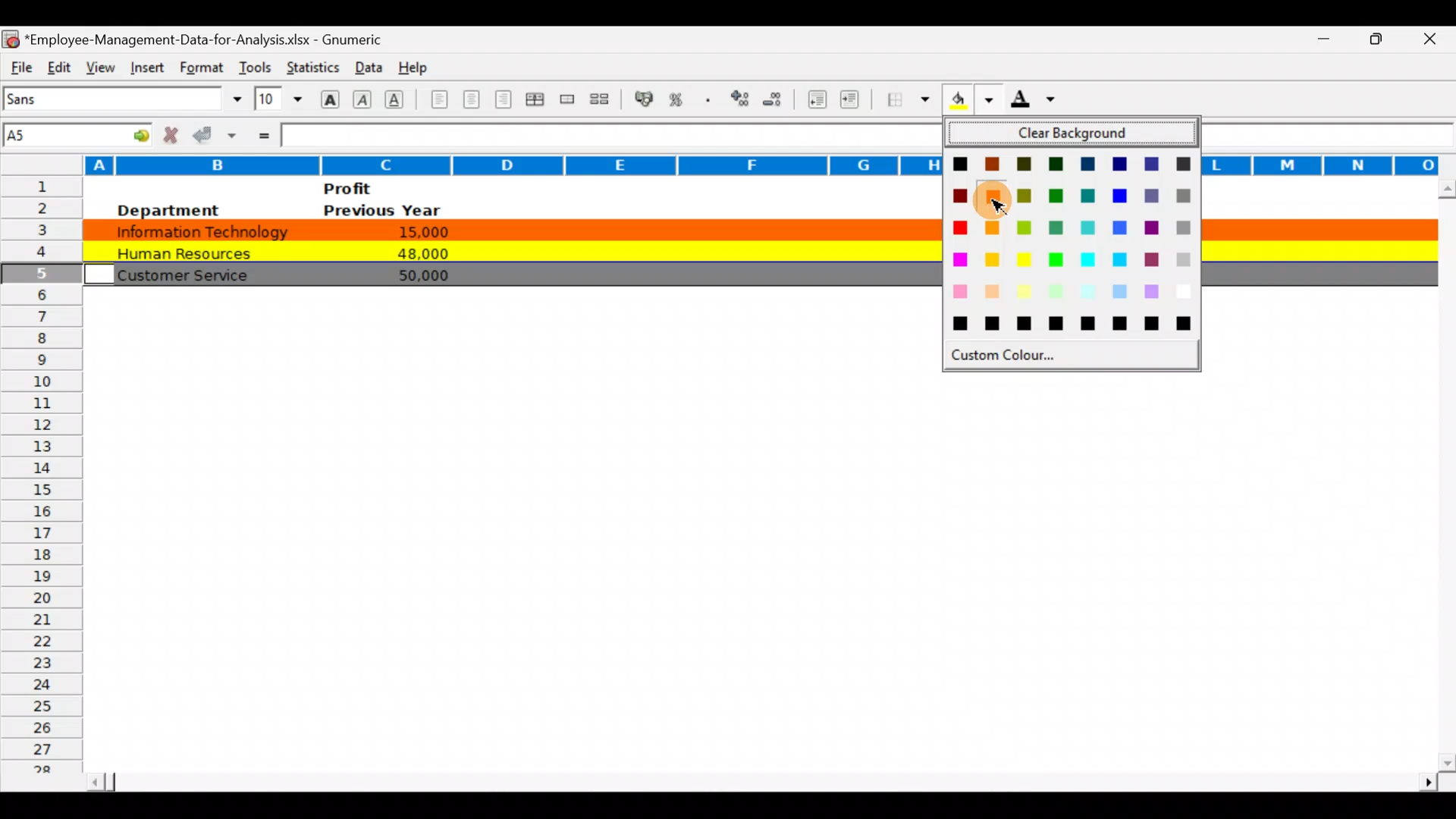 This screenshot has width=1456, height=819. What do you see at coordinates (509, 249) in the screenshot?
I see `Selected row 4 of data highlighted with color` at bounding box center [509, 249].